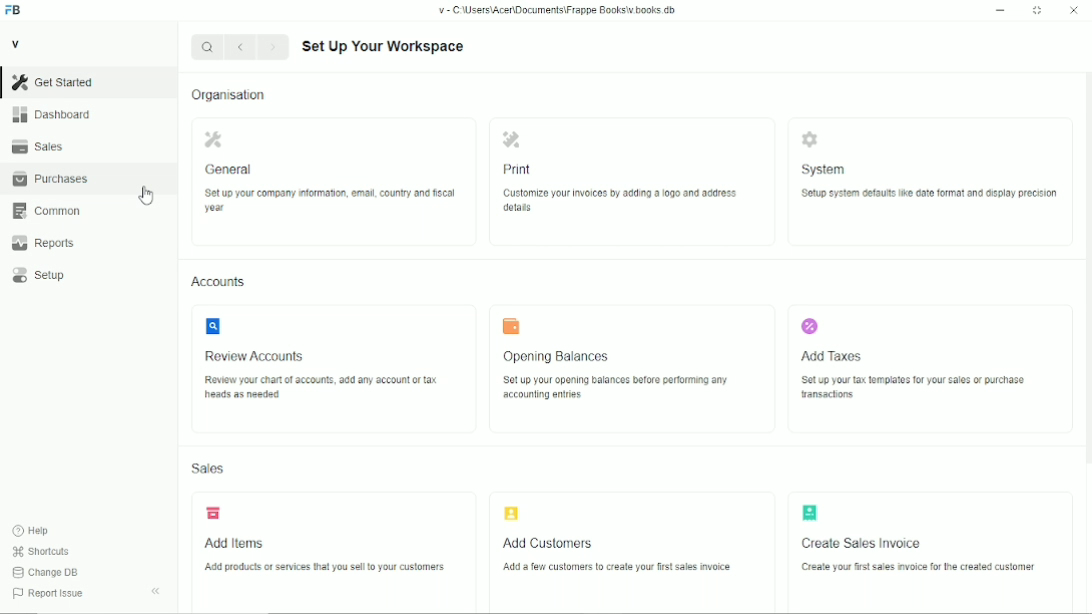  What do you see at coordinates (50, 146) in the screenshot?
I see `Sales` at bounding box center [50, 146].